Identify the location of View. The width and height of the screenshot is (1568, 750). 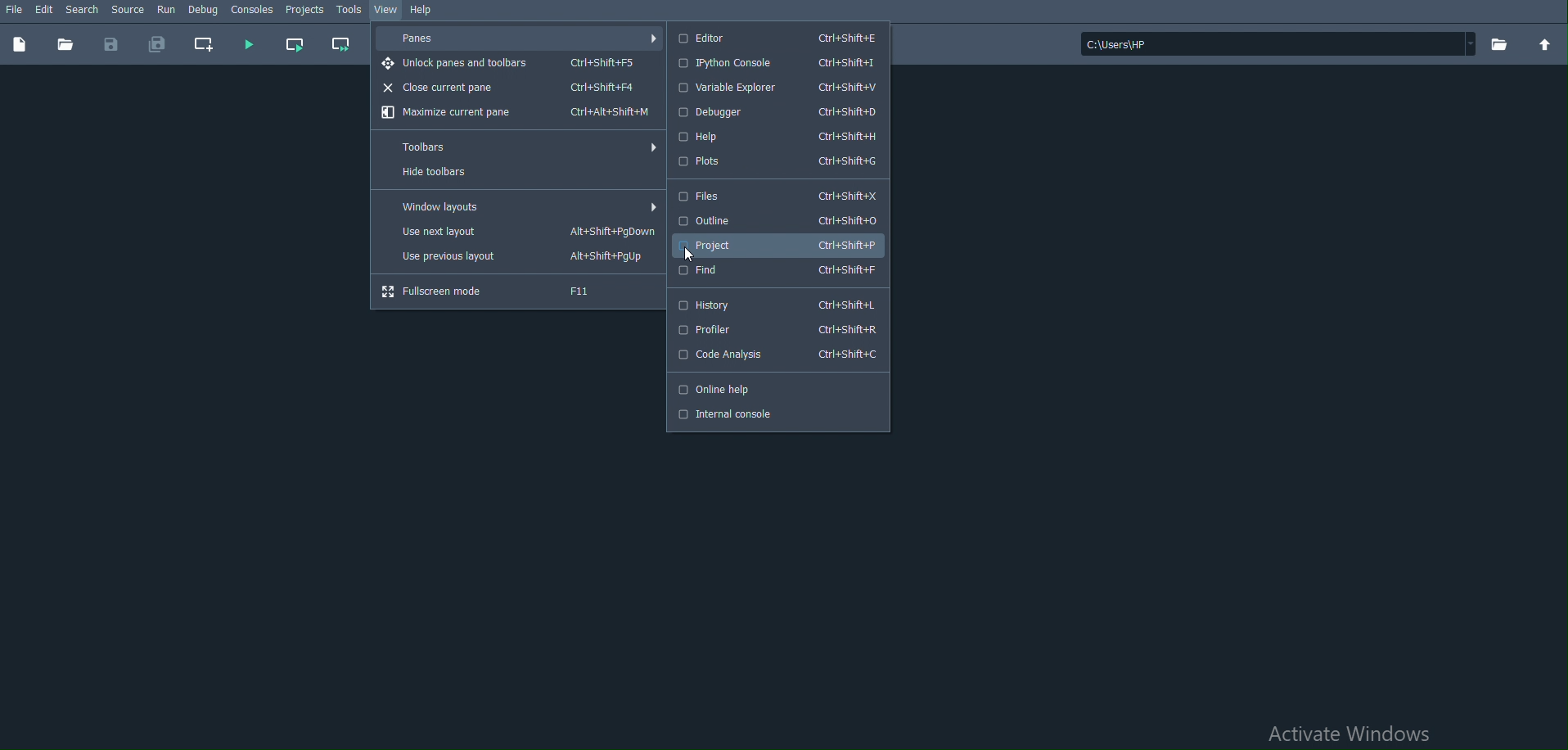
(386, 10).